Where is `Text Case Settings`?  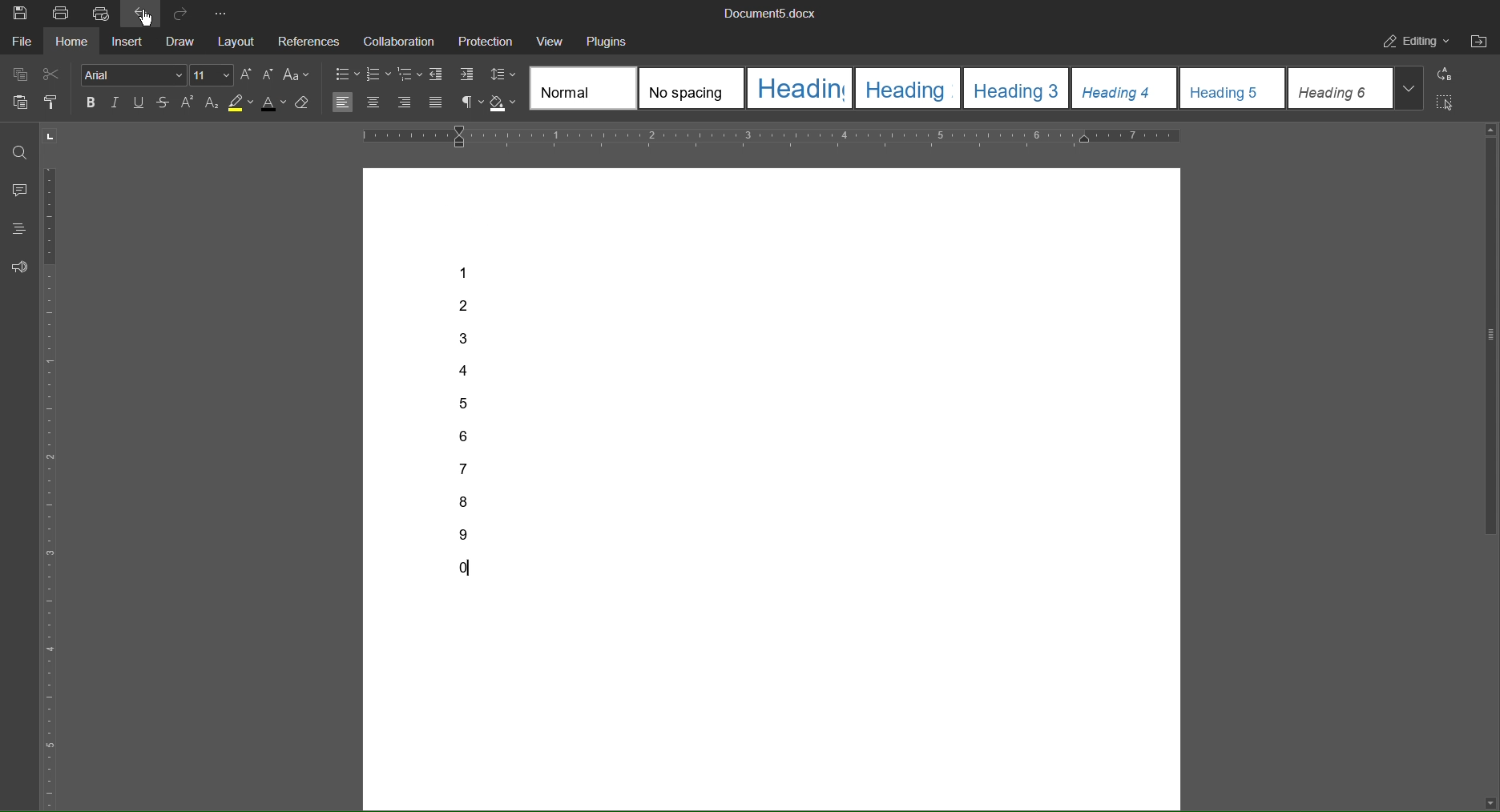 Text Case Settings is located at coordinates (296, 74).